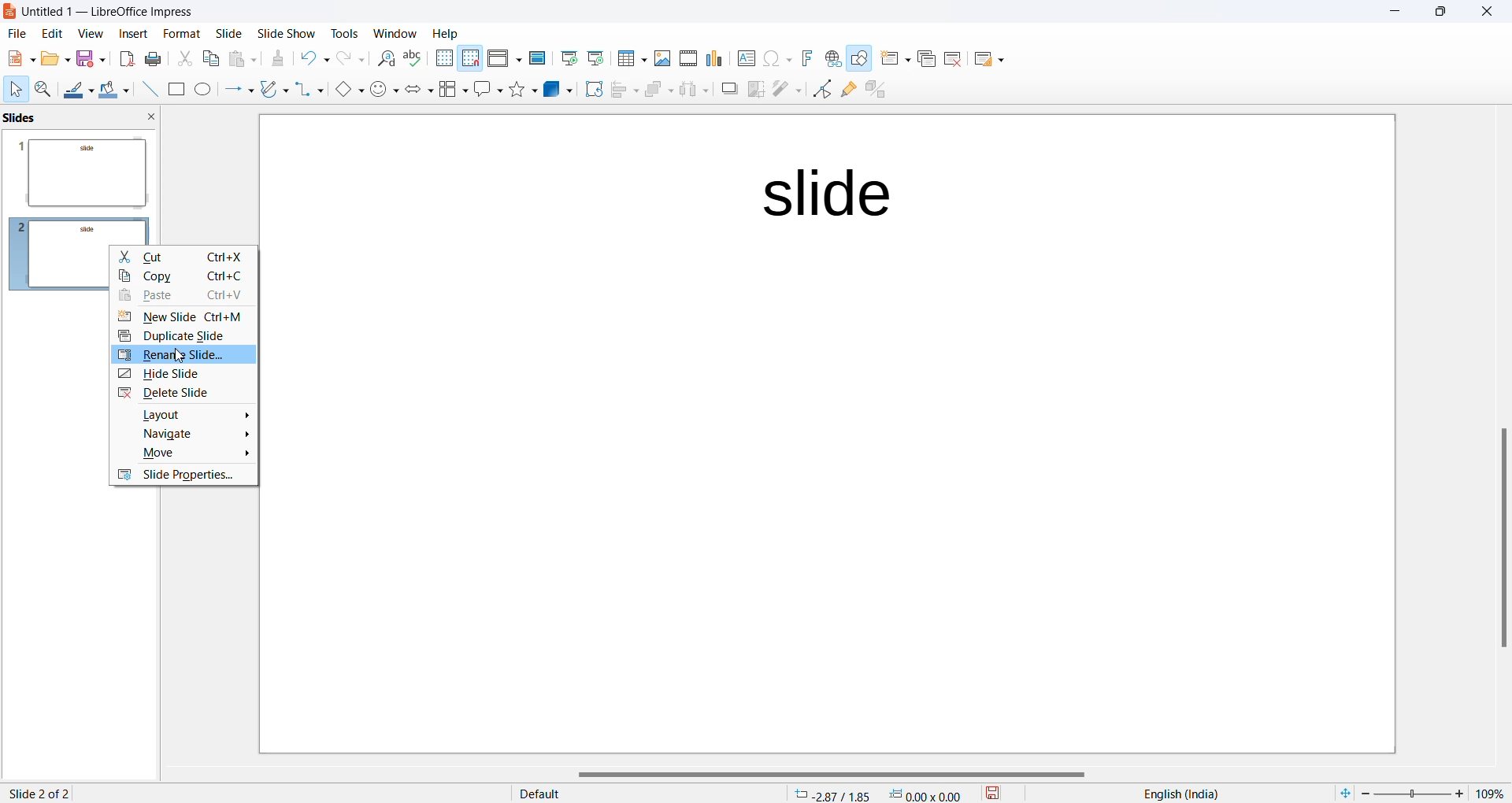 This screenshot has height=803, width=1512. I want to click on save, so click(992, 794).